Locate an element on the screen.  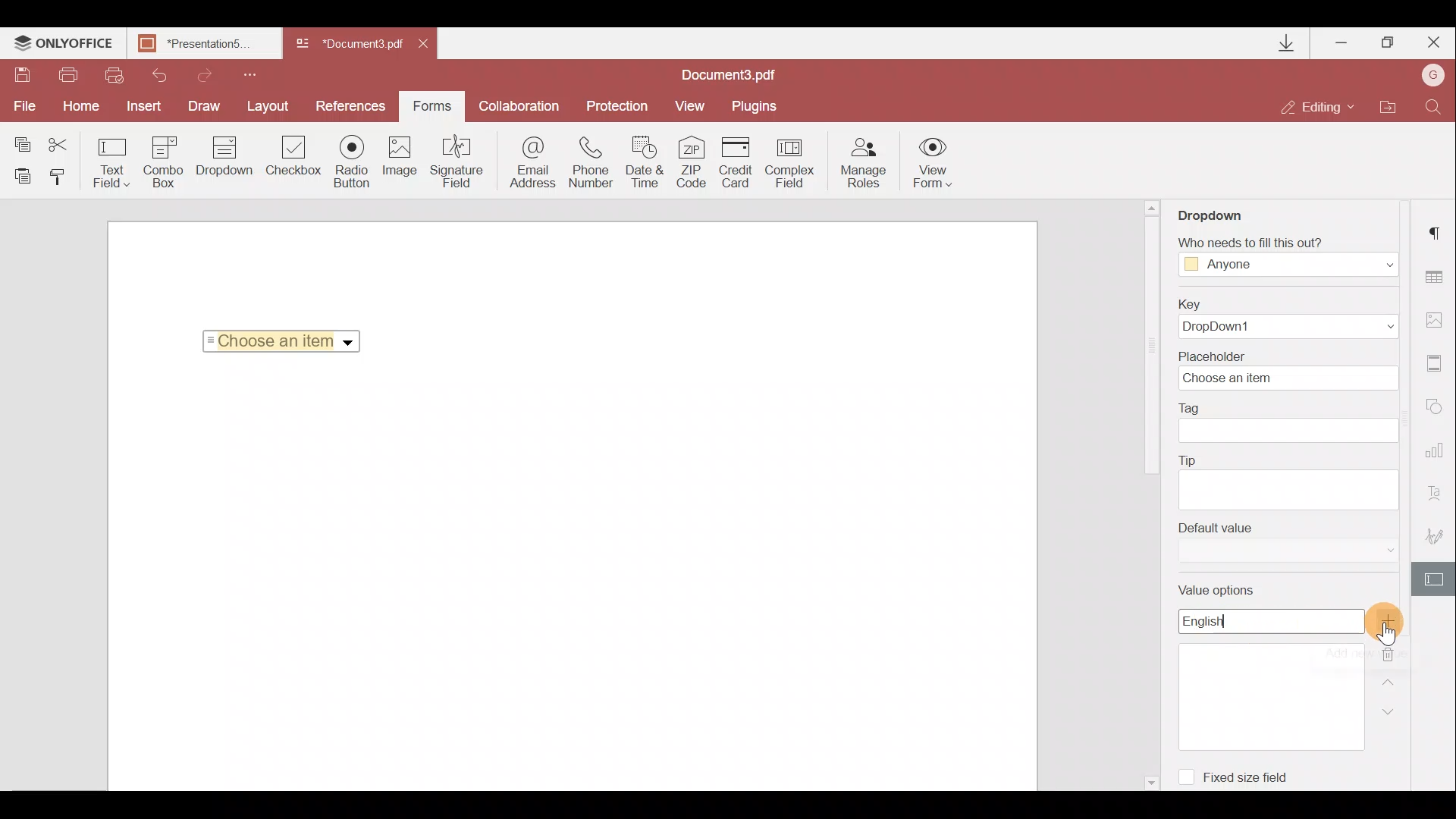
References is located at coordinates (353, 105).